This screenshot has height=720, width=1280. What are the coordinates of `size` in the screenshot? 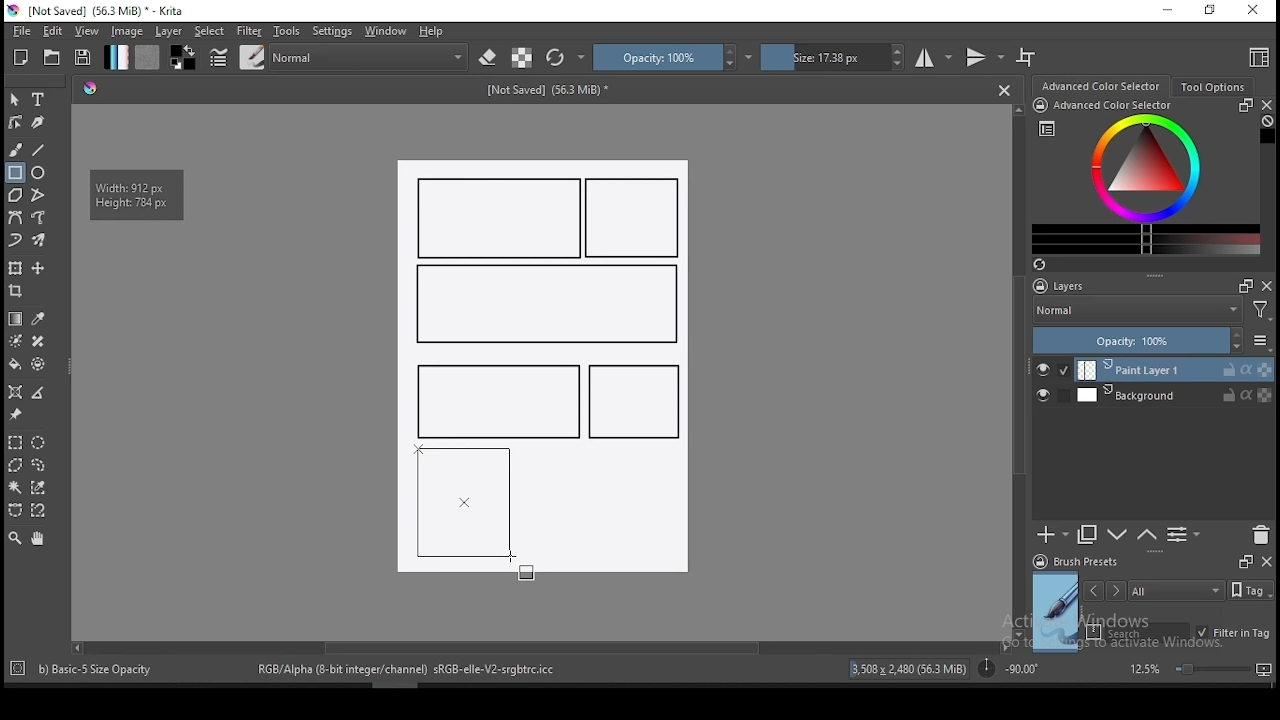 It's located at (833, 57).